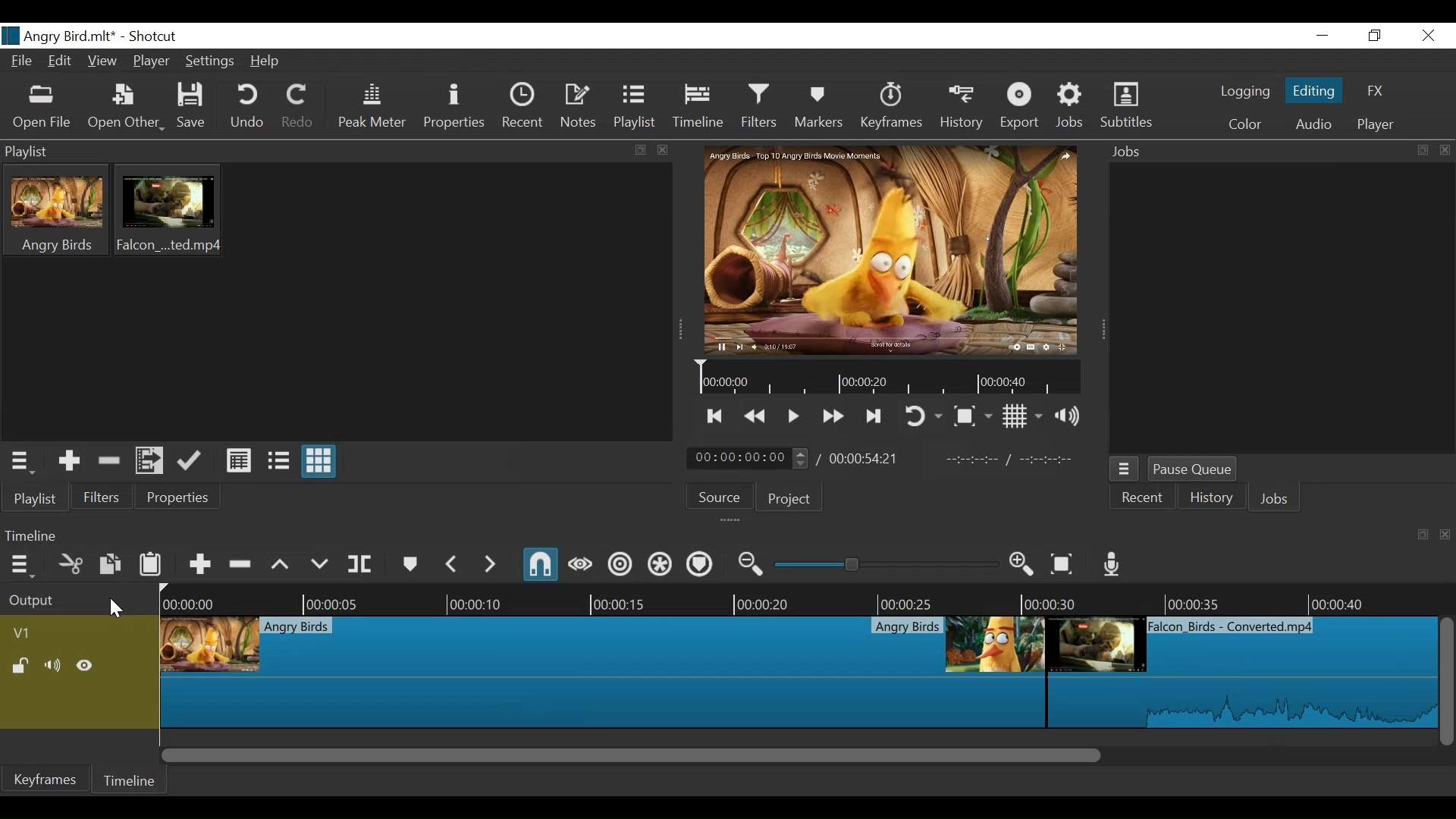  What do you see at coordinates (491, 565) in the screenshot?
I see `Next Marker` at bounding box center [491, 565].